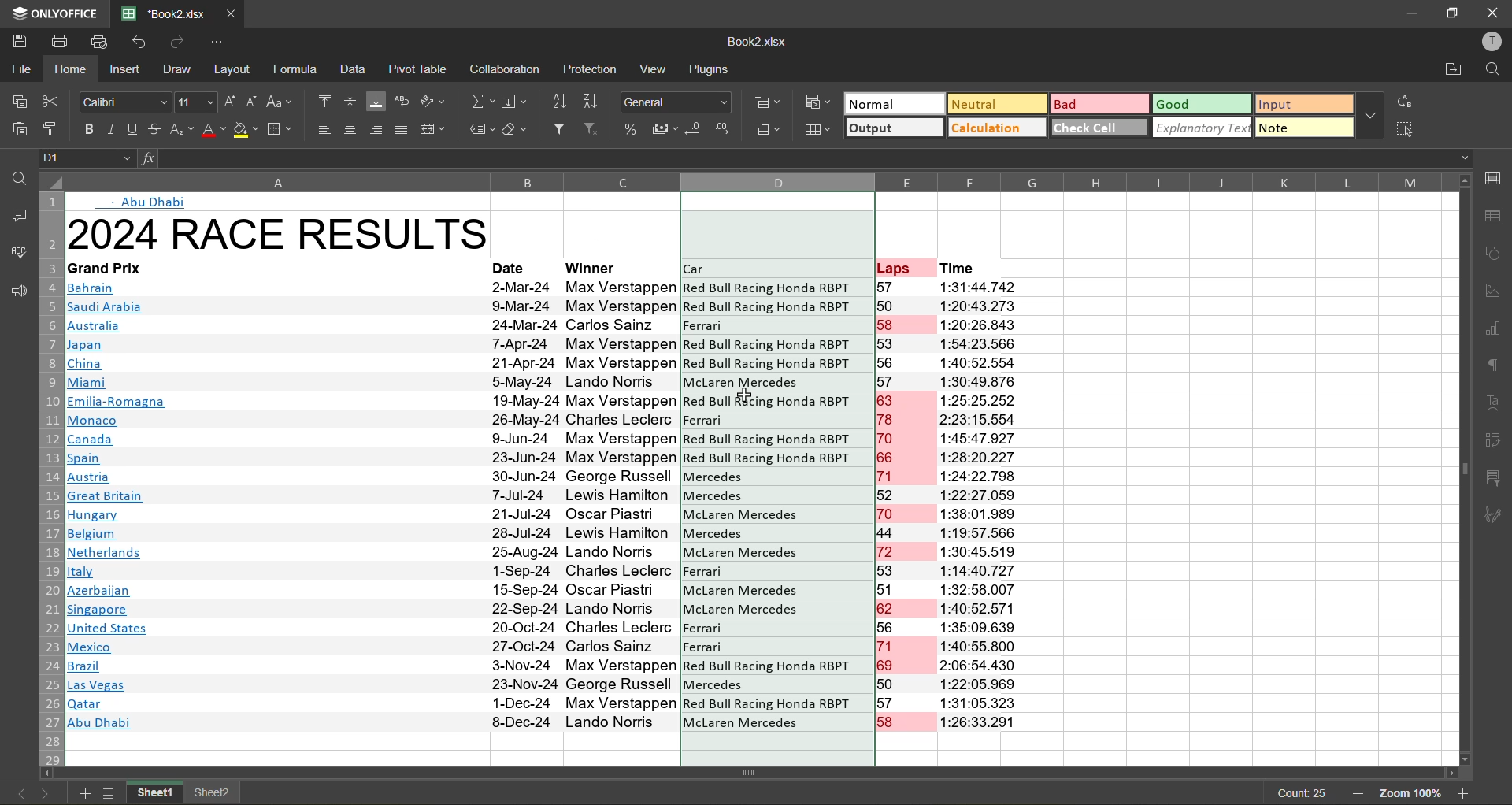 This screenshot has width=1512, height=805. Describe the element at coordinates (545, 589) in the screenshot. I see `Wl Azerbaijan 15-Sep-24 Oscar Piastri McLaren Mercedes 51 1:32:58.007` at that location.